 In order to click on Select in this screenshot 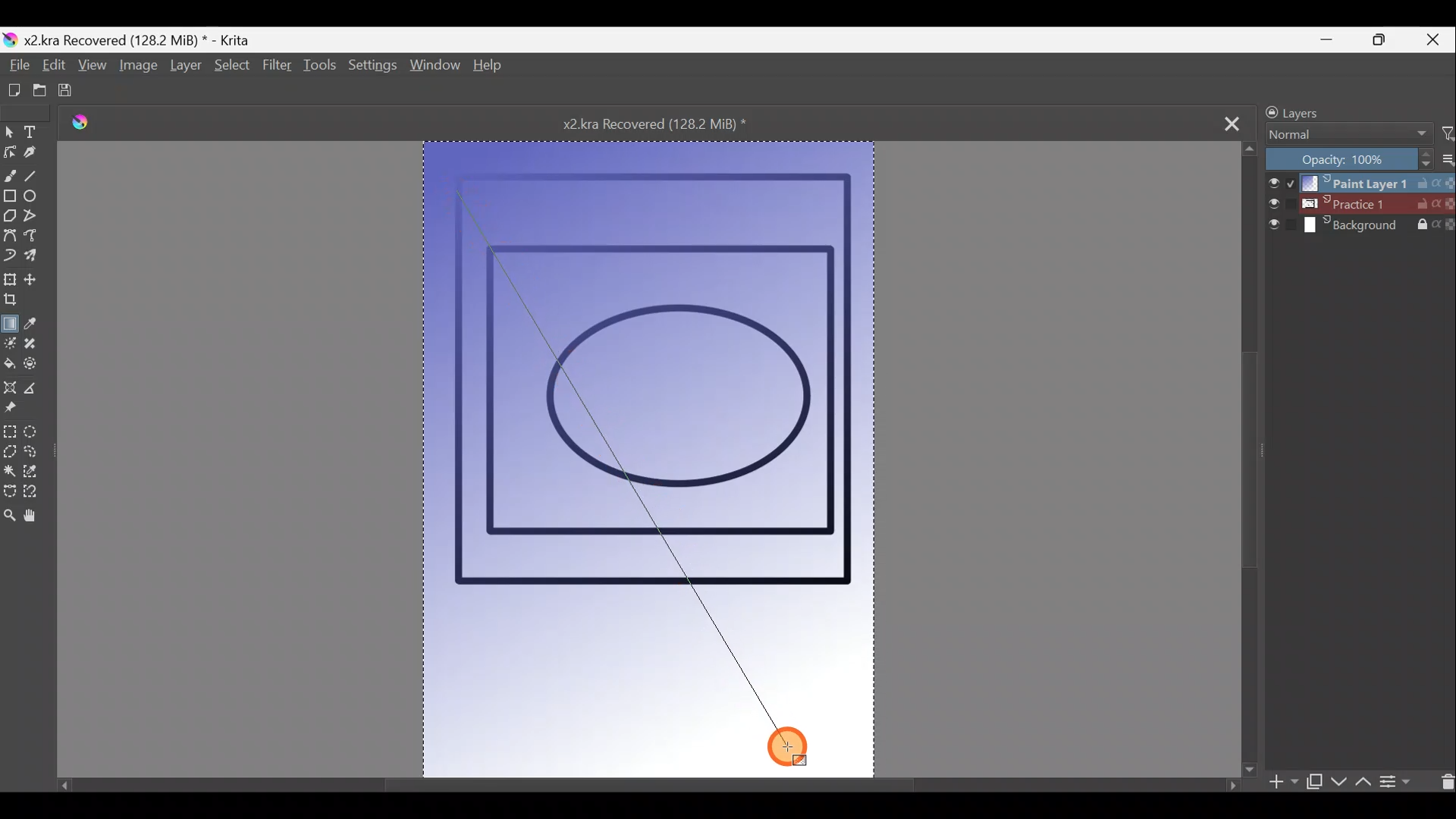, I will do `click(230, 66)`.